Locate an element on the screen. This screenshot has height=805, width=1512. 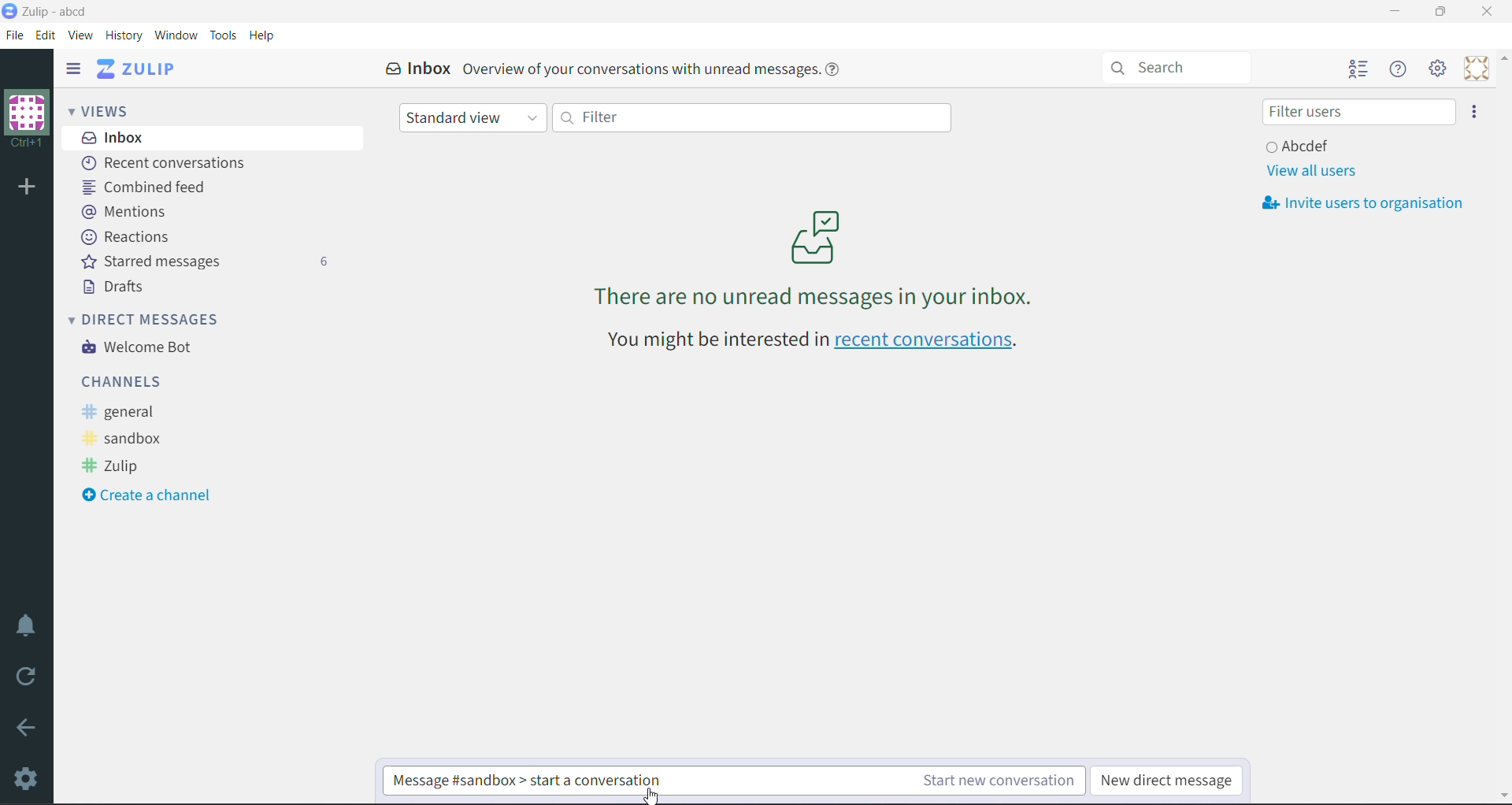
You might be interested in recent conversations - Click link to open recent conversations is located at coordinates (817, 342).